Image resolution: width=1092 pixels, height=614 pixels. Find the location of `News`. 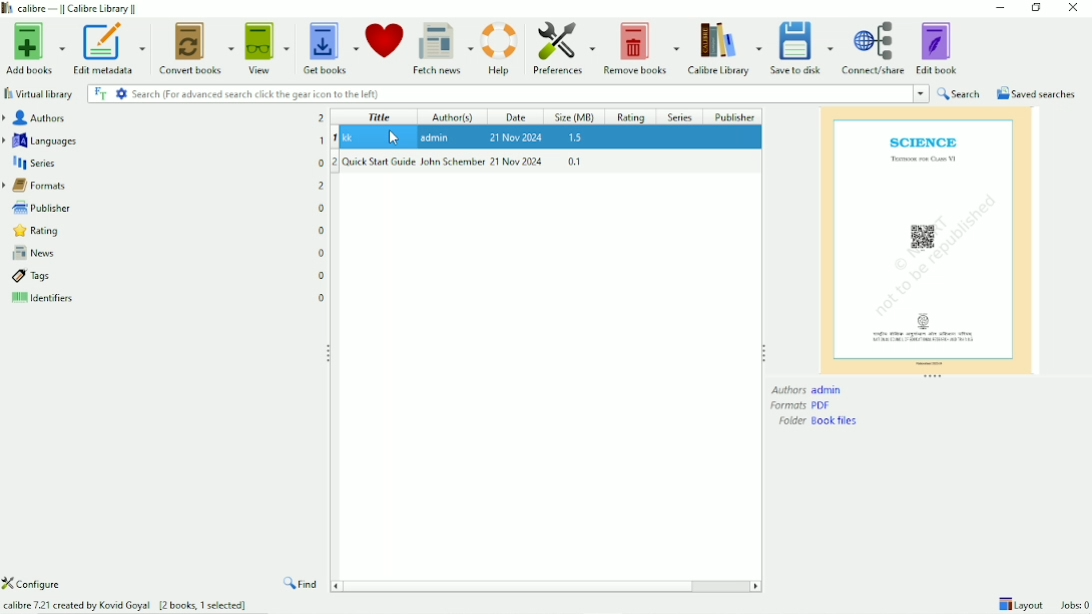

News is located at coordinates (30, 254).